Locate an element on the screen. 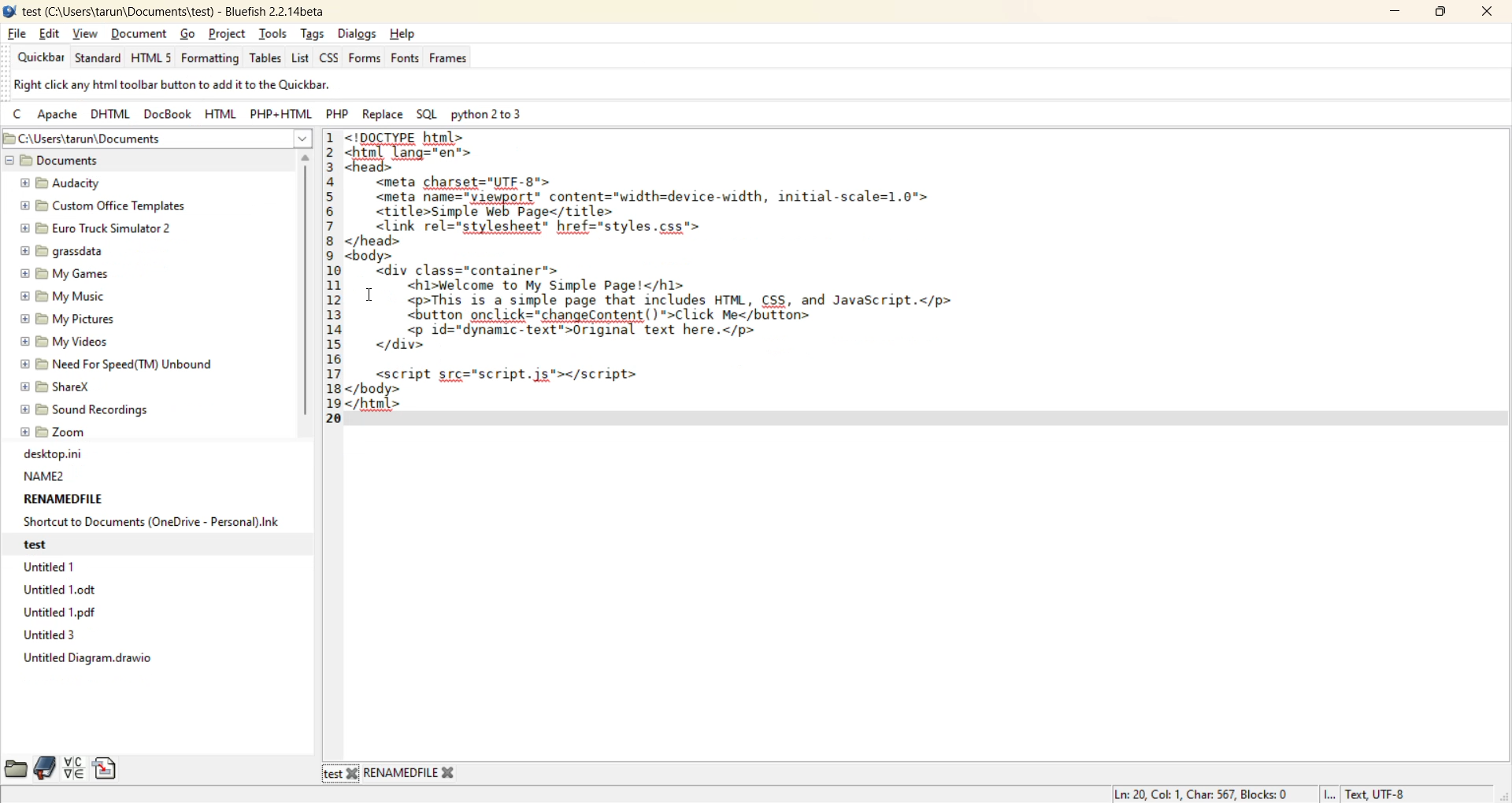 The image size is (1512, 803). tabs is located at coordinates (391, 775).